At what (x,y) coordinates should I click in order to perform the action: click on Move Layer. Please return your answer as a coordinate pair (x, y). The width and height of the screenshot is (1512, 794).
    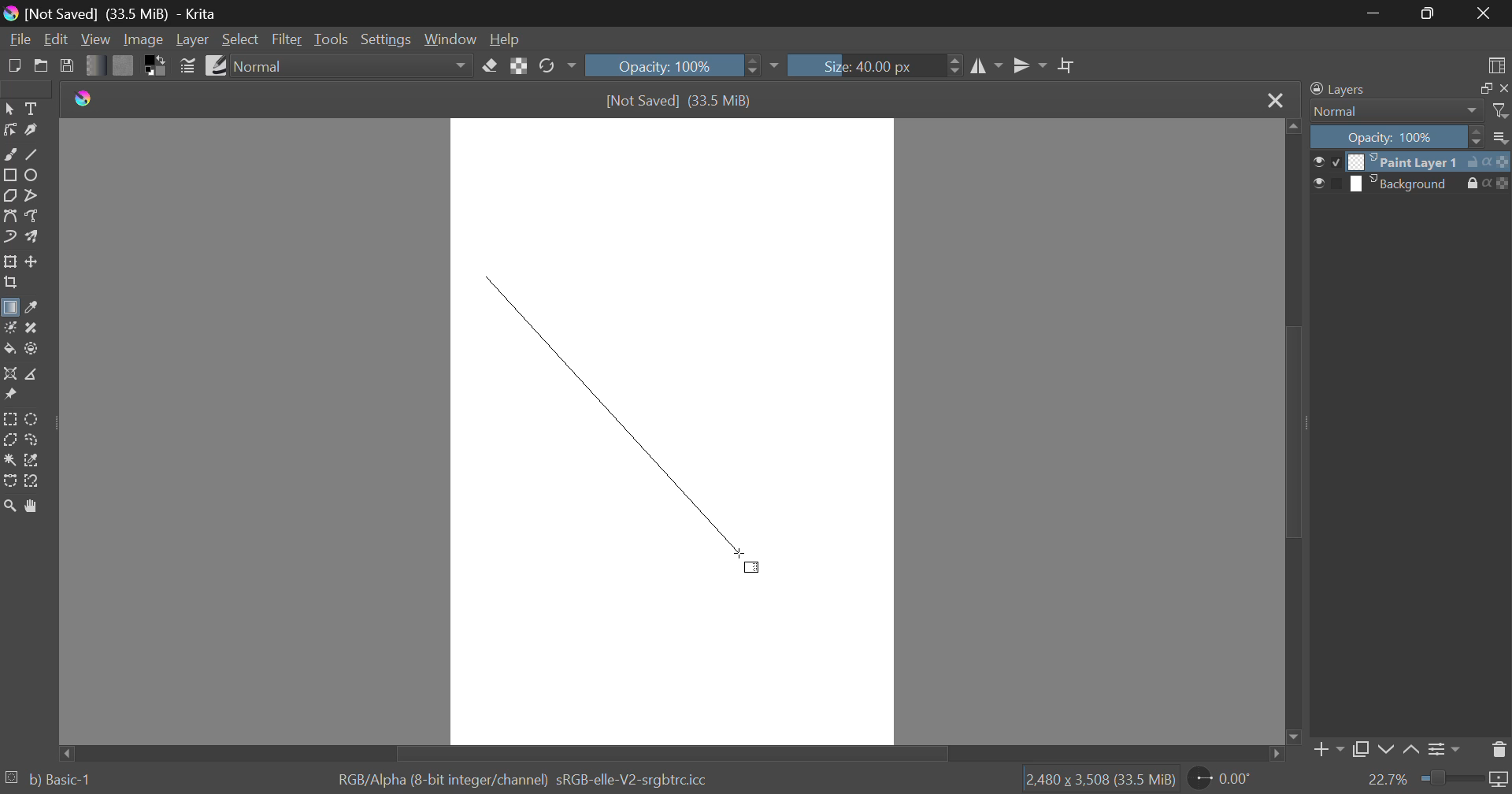
    Looking at the image, I should click on (32, 262).